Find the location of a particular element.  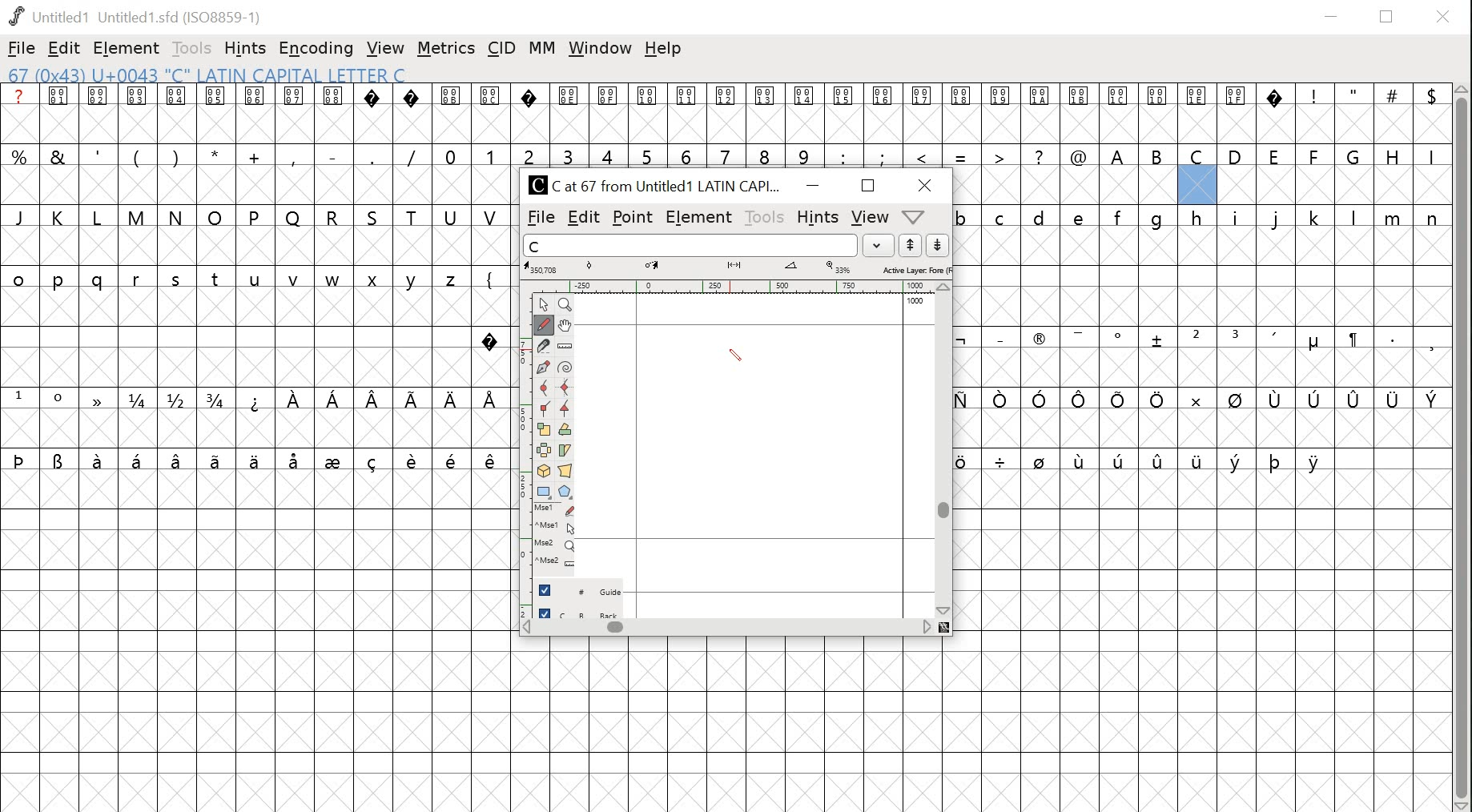

1000 is located at coordinates (916, 301).